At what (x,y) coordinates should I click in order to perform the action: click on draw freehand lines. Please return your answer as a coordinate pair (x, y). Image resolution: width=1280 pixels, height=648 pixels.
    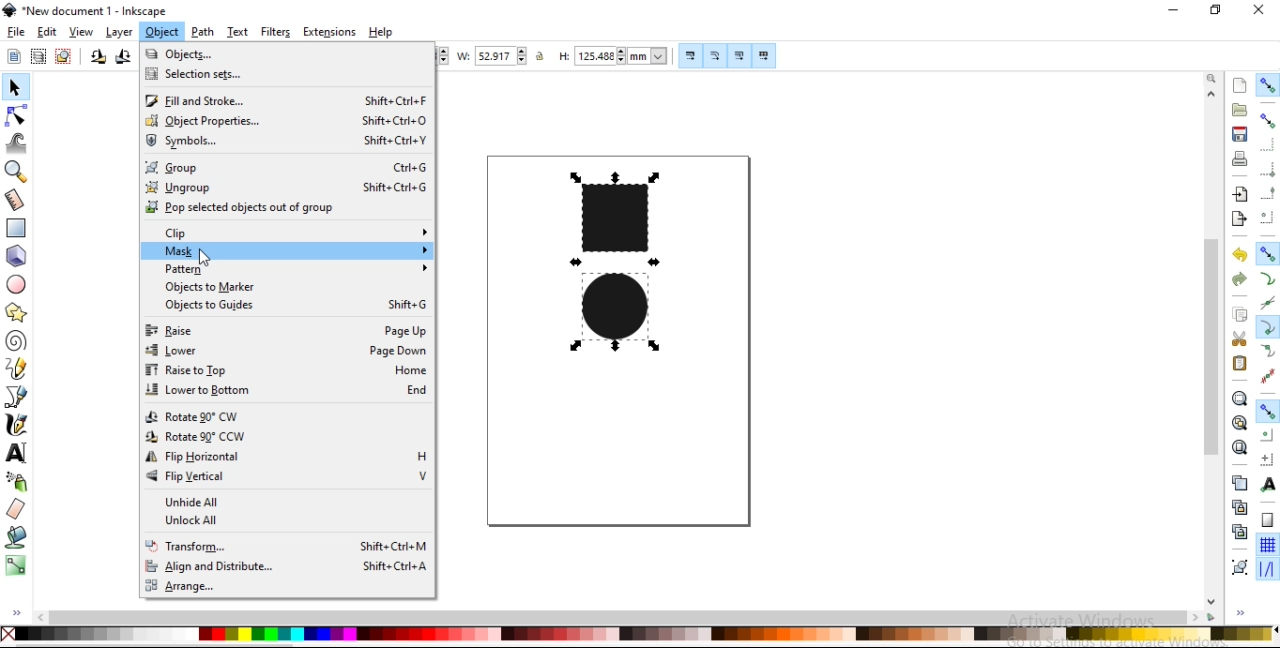
    Looking at the image, I should click on (15, 370).